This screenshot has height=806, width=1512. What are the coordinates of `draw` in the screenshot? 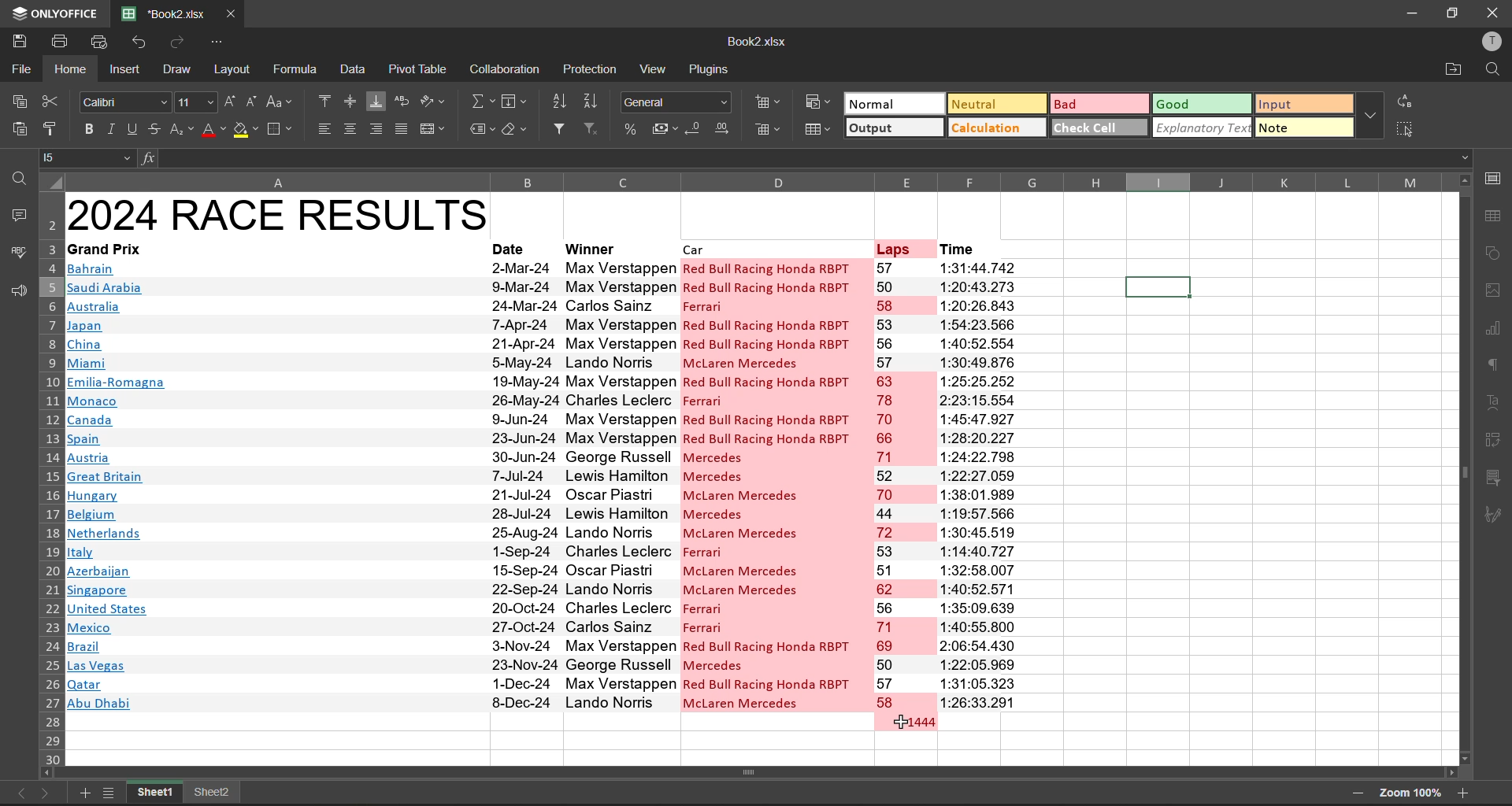 It's located at (181, 72).